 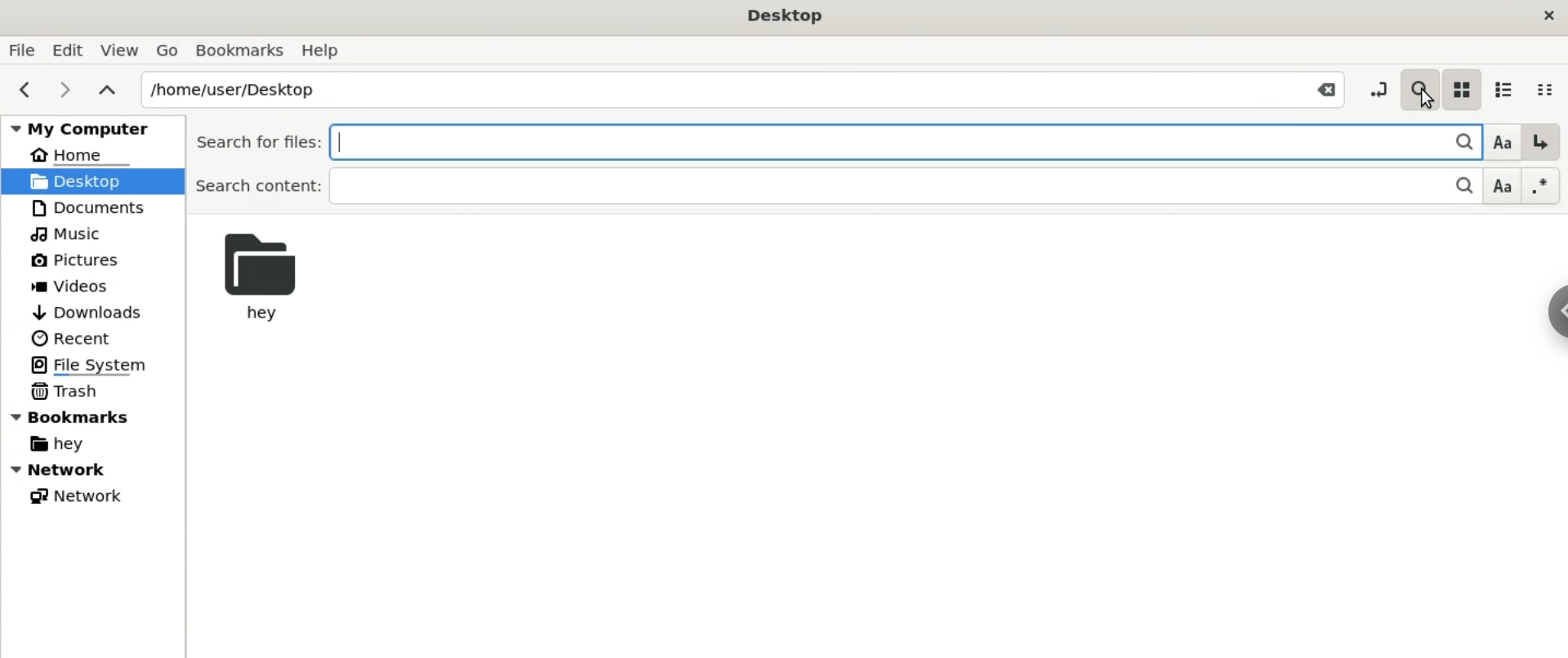 I want to click on next, so click(x=64, y=89).